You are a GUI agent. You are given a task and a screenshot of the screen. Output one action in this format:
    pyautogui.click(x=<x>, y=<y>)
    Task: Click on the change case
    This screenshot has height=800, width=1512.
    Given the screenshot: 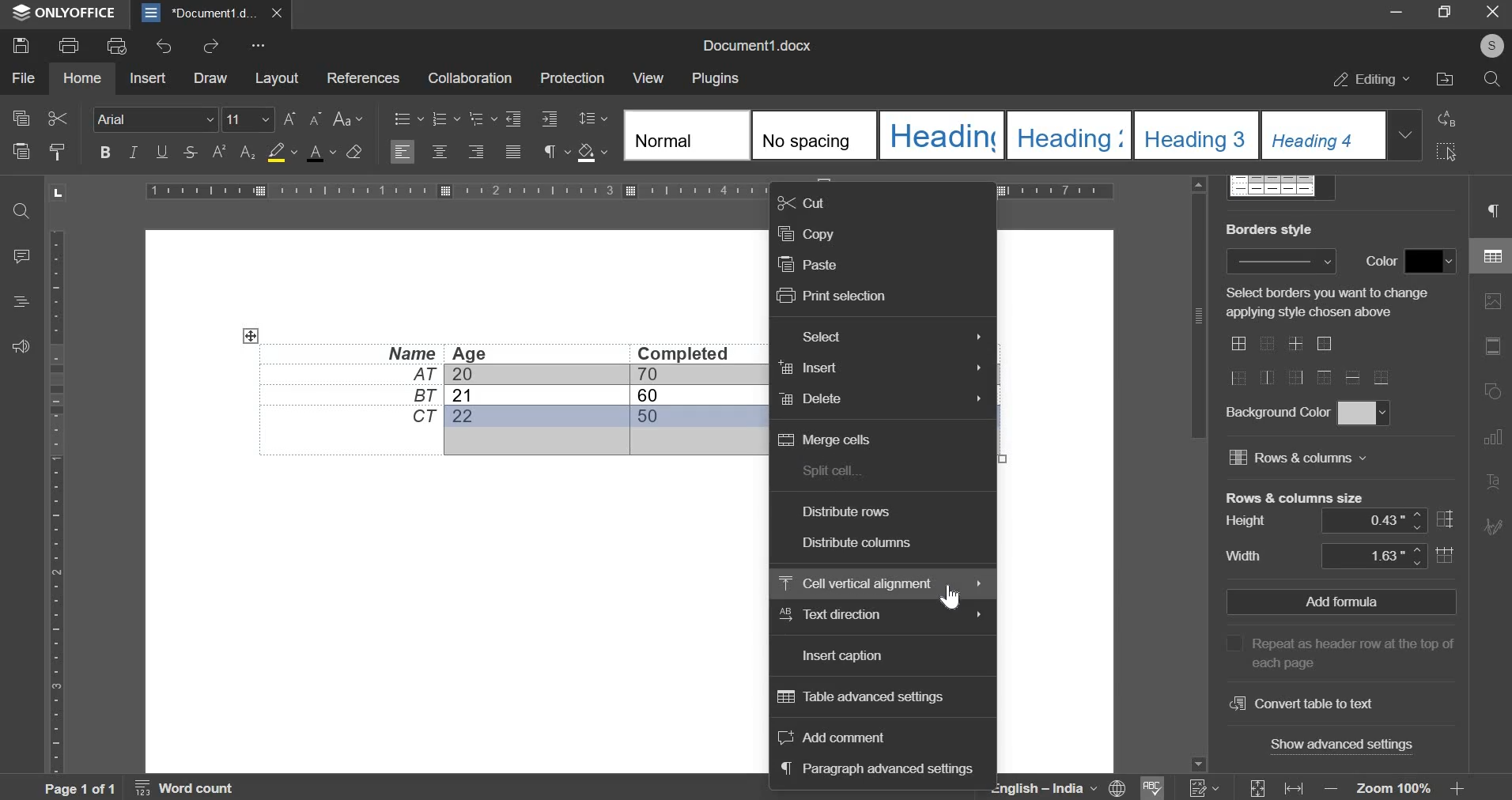 What is the action you would take?
    pyautogui.click(x=345, y=116)
    